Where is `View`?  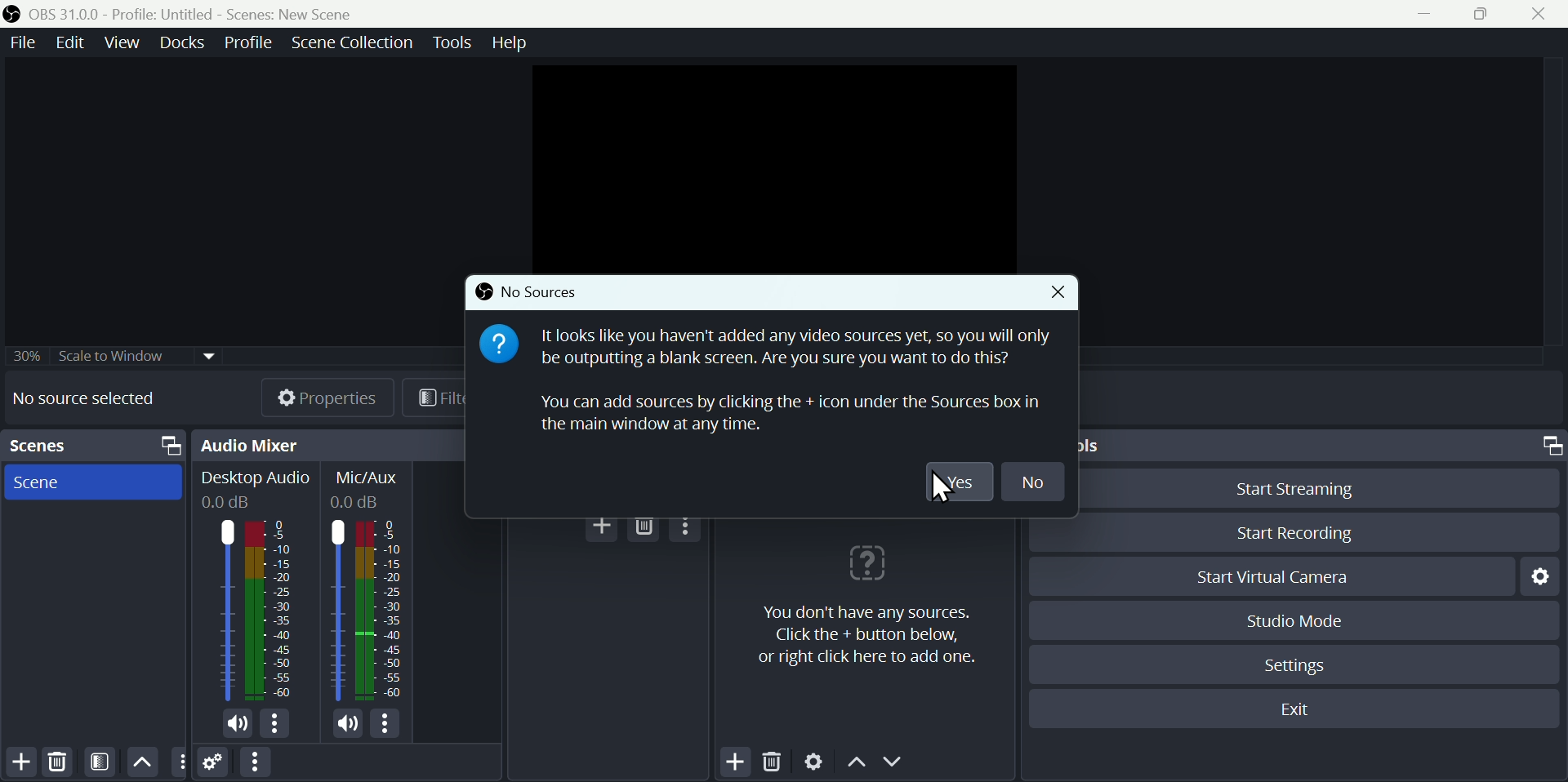 View is located at coordinates (122, 47).